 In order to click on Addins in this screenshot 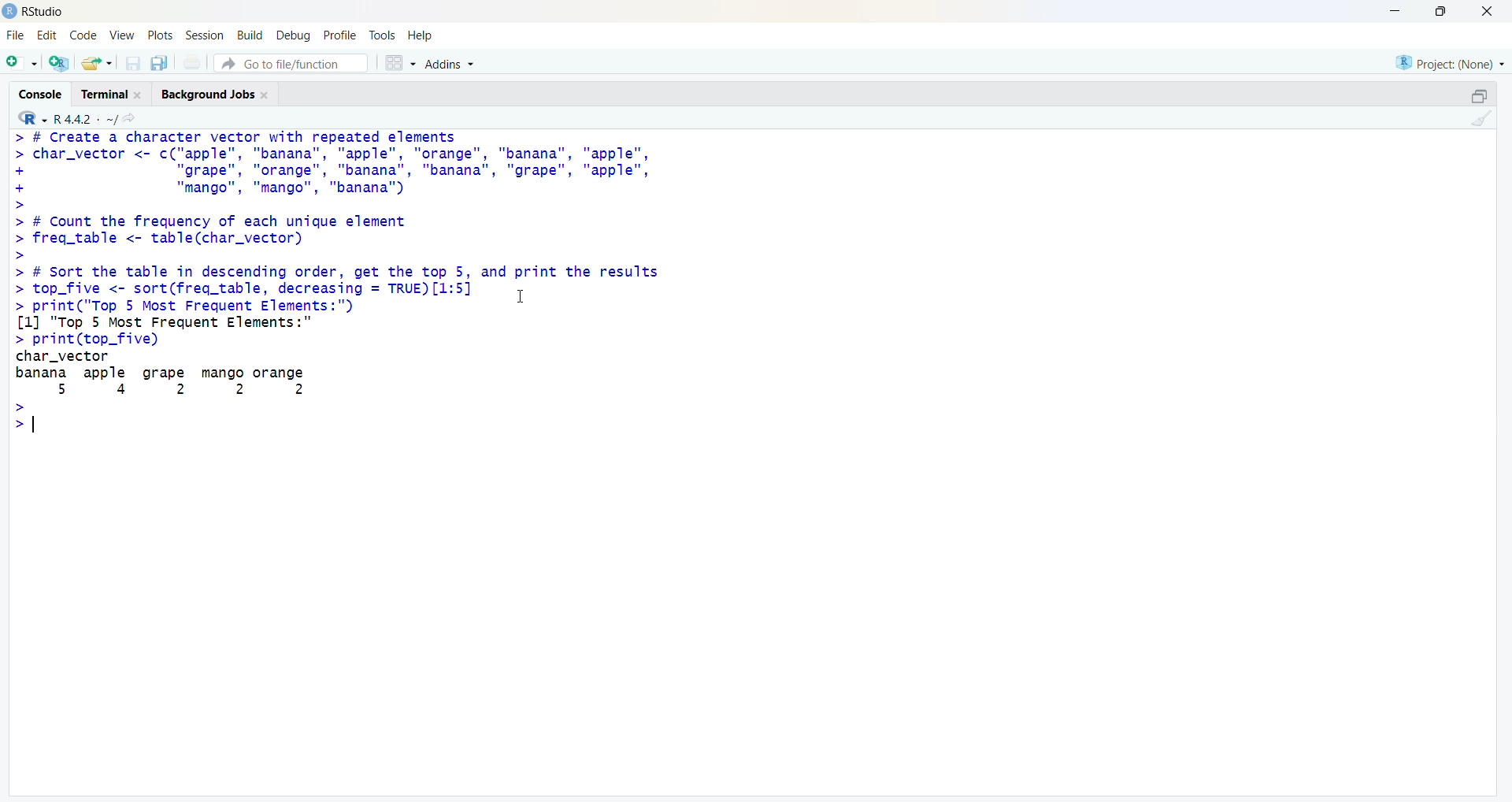, I will do `click(451, 64)`.